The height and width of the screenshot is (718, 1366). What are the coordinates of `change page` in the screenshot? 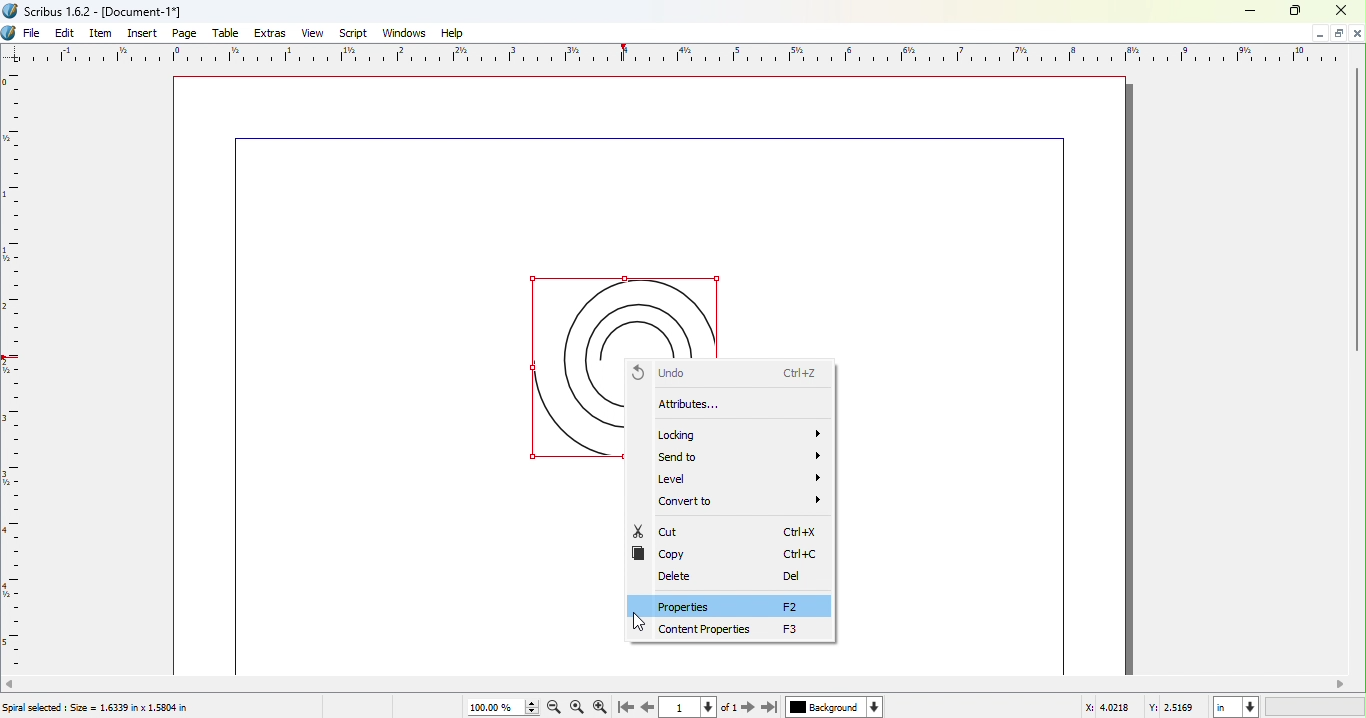 It's located at (710, 708).